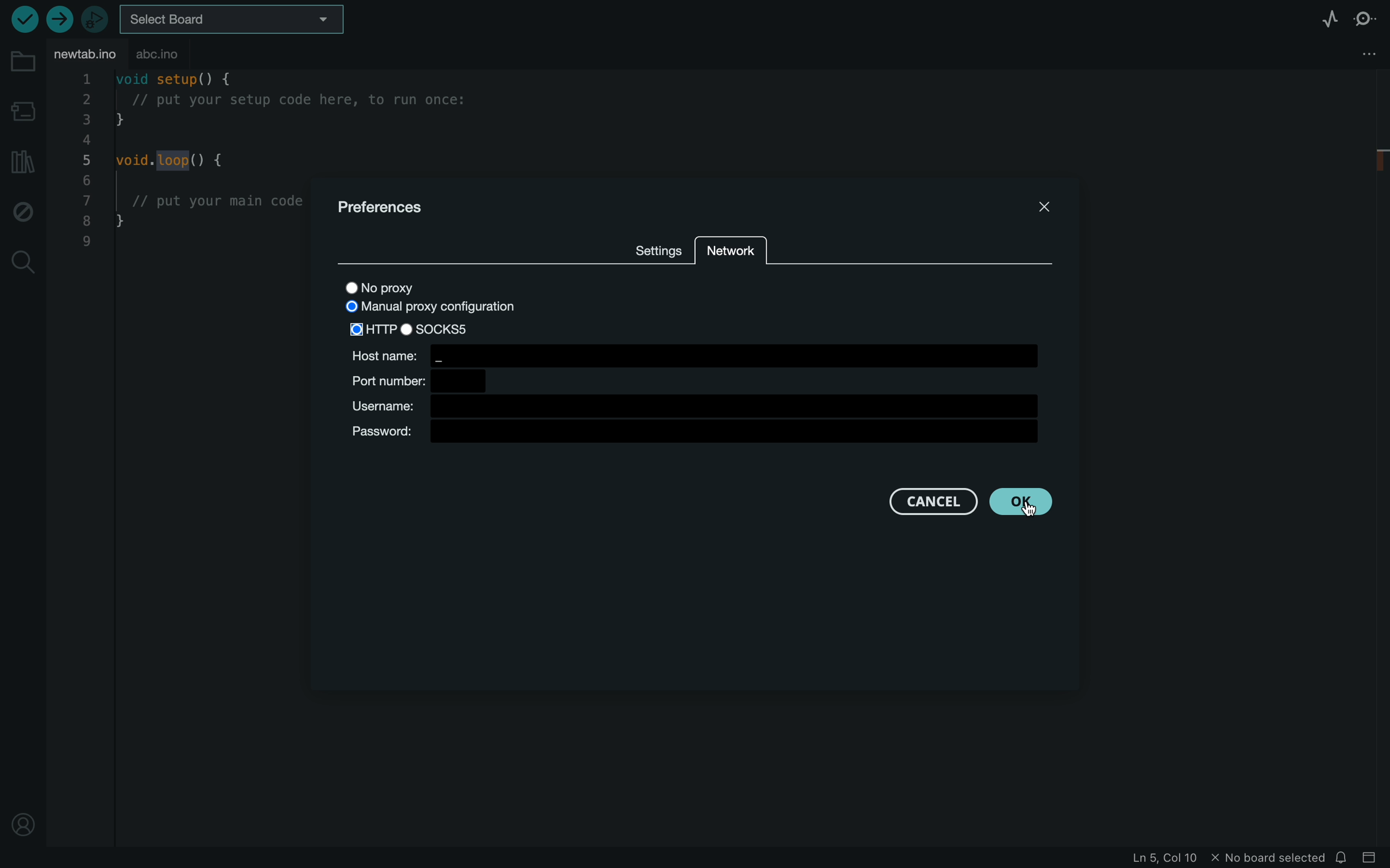  Describe the element at coordinates (429, 308) in the screenshot. I see `mutual proxy` at that location.